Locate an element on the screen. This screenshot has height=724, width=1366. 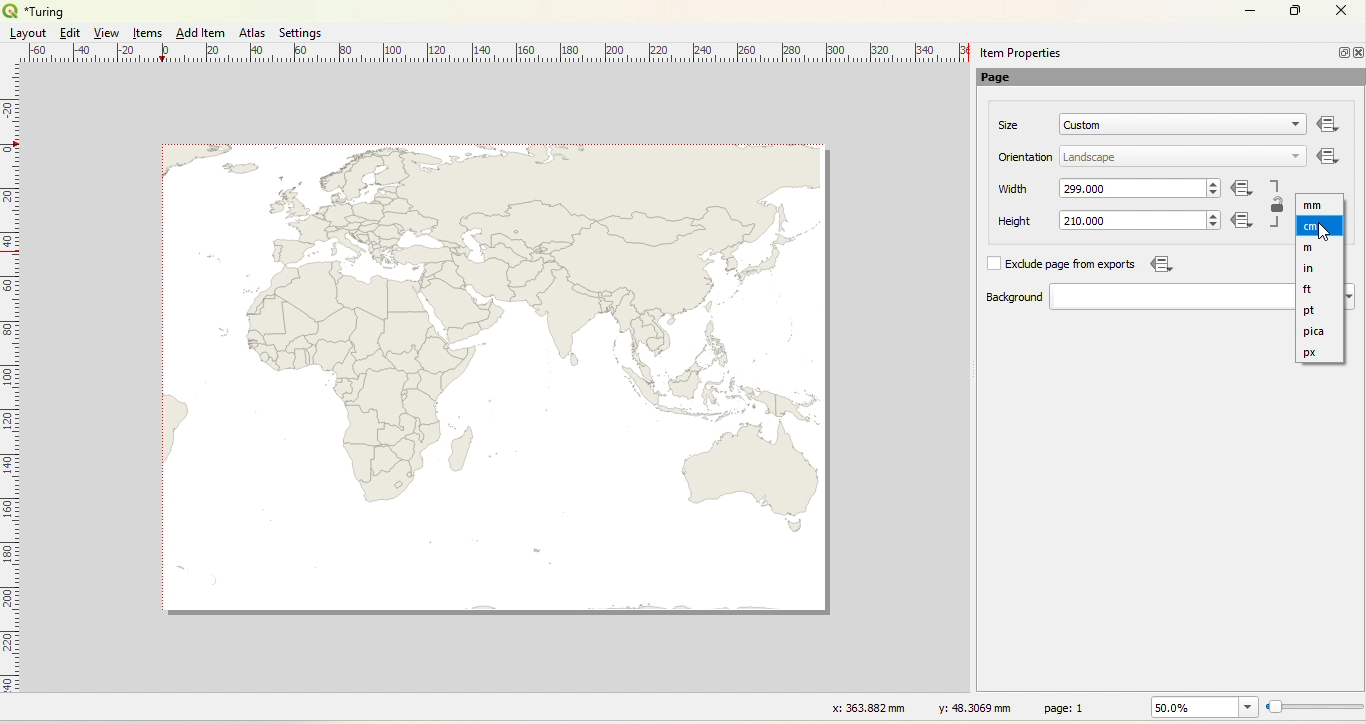
Add Item is located at coordinates (200, 33).